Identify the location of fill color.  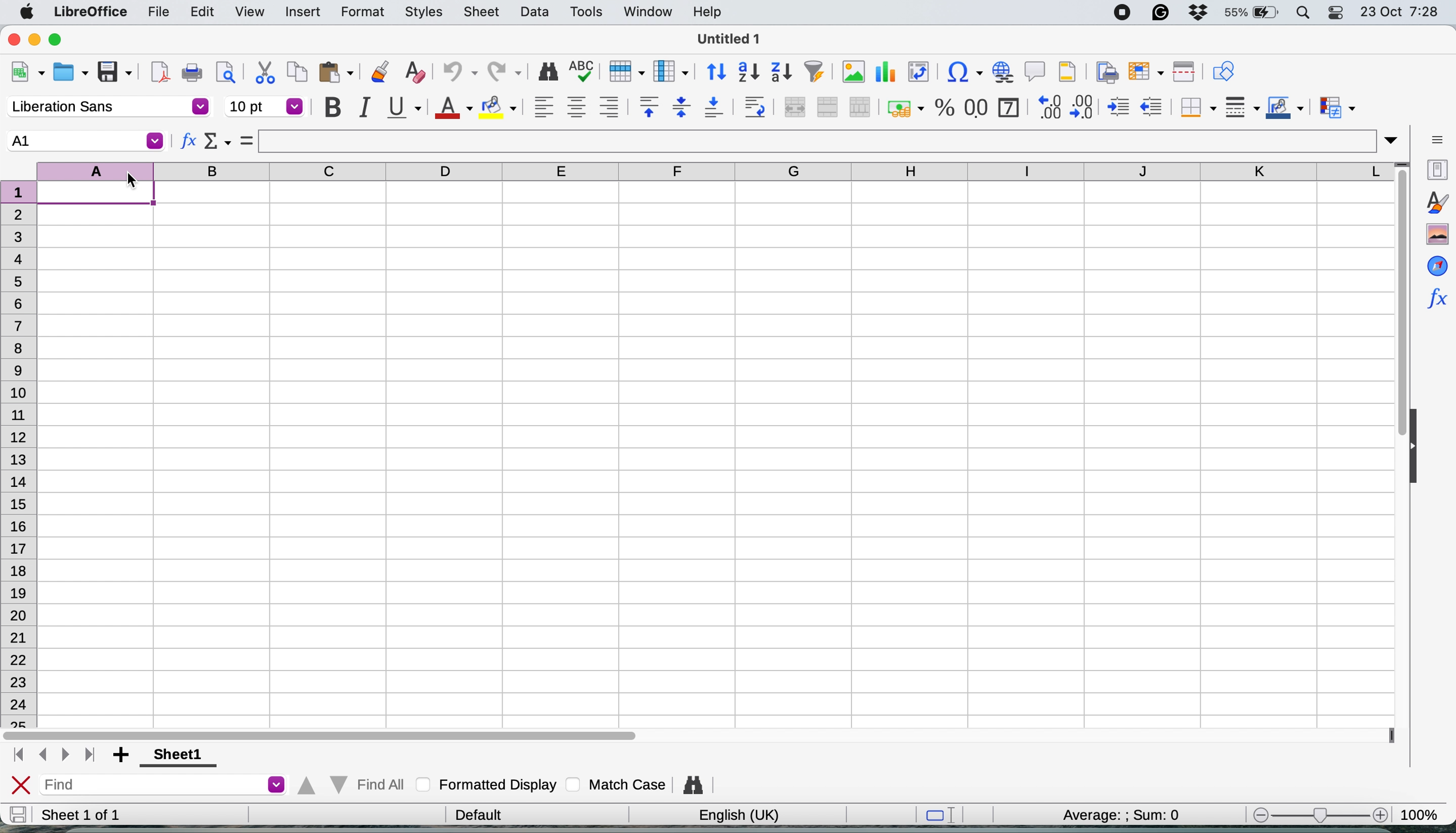
(498, 108).